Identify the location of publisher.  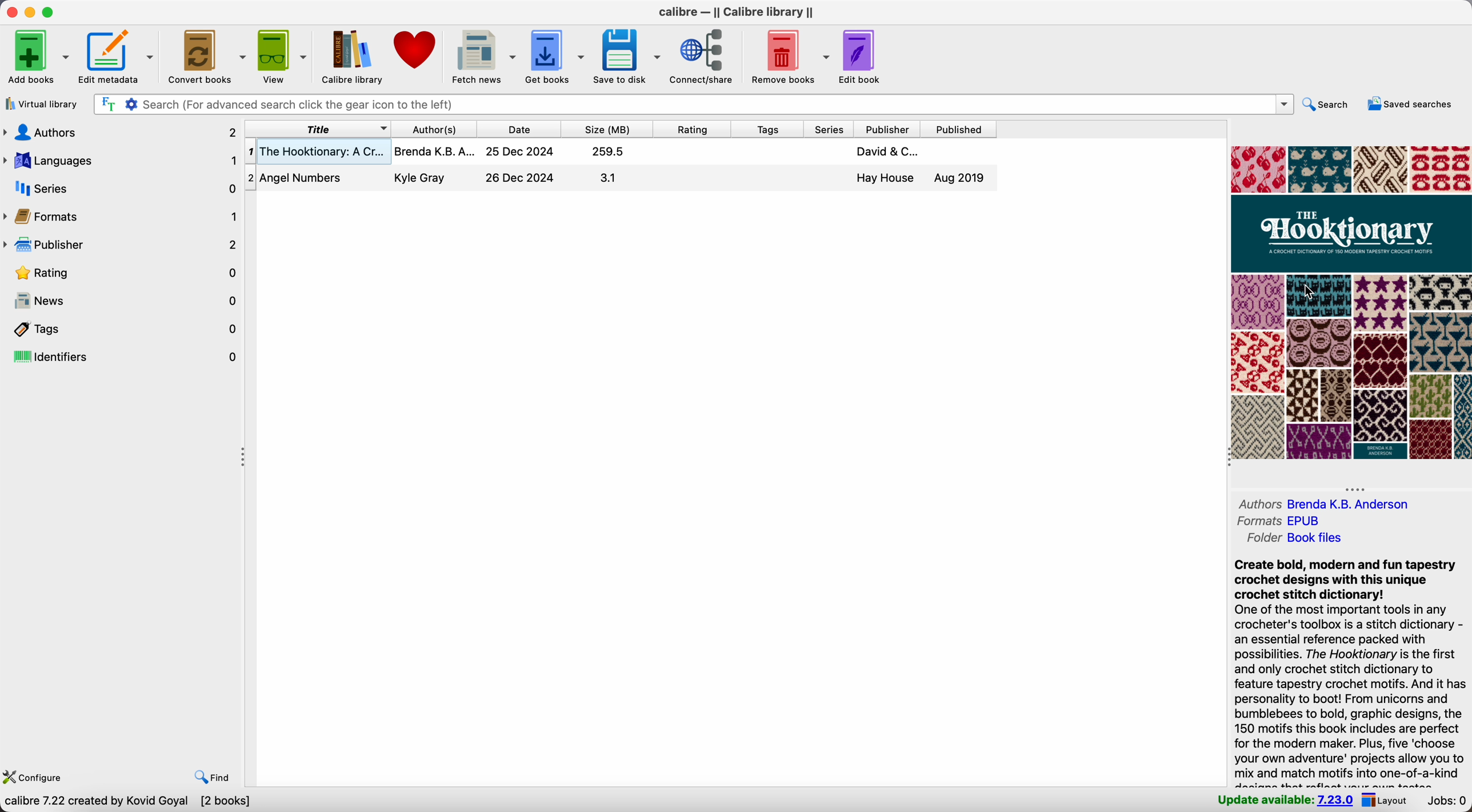
(889, 129).